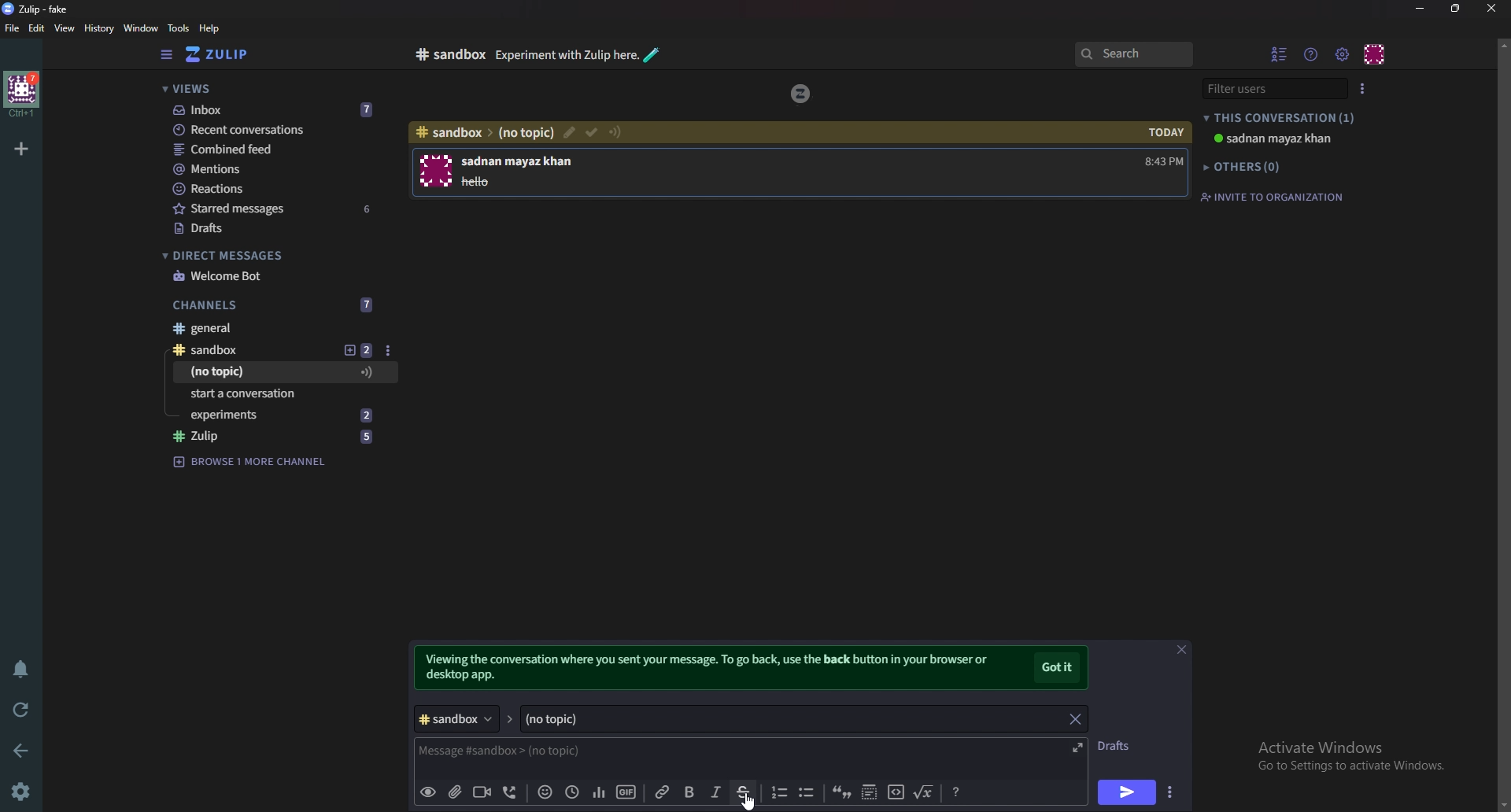 This screenshot has height=812, width=1511. I want to click on Direct messages, so click(269, 254).